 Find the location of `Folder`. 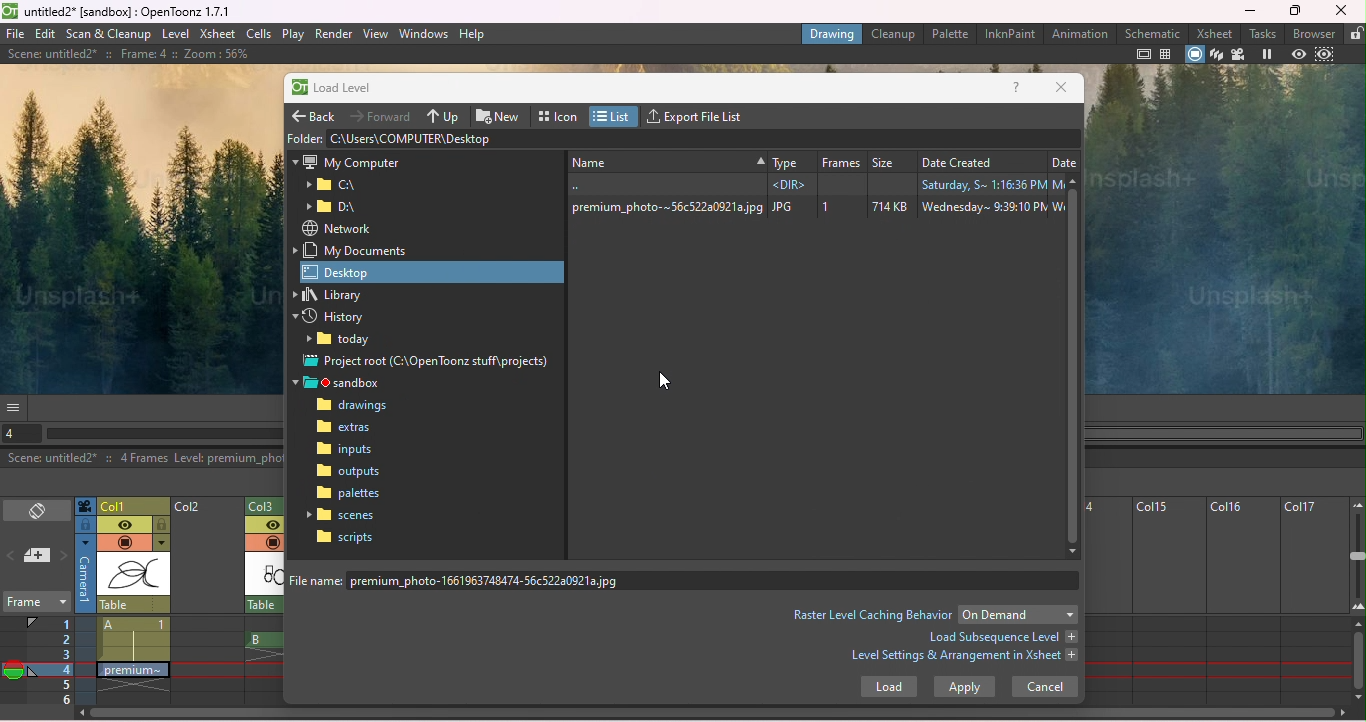

Folder is located at coordinates (344, 341).